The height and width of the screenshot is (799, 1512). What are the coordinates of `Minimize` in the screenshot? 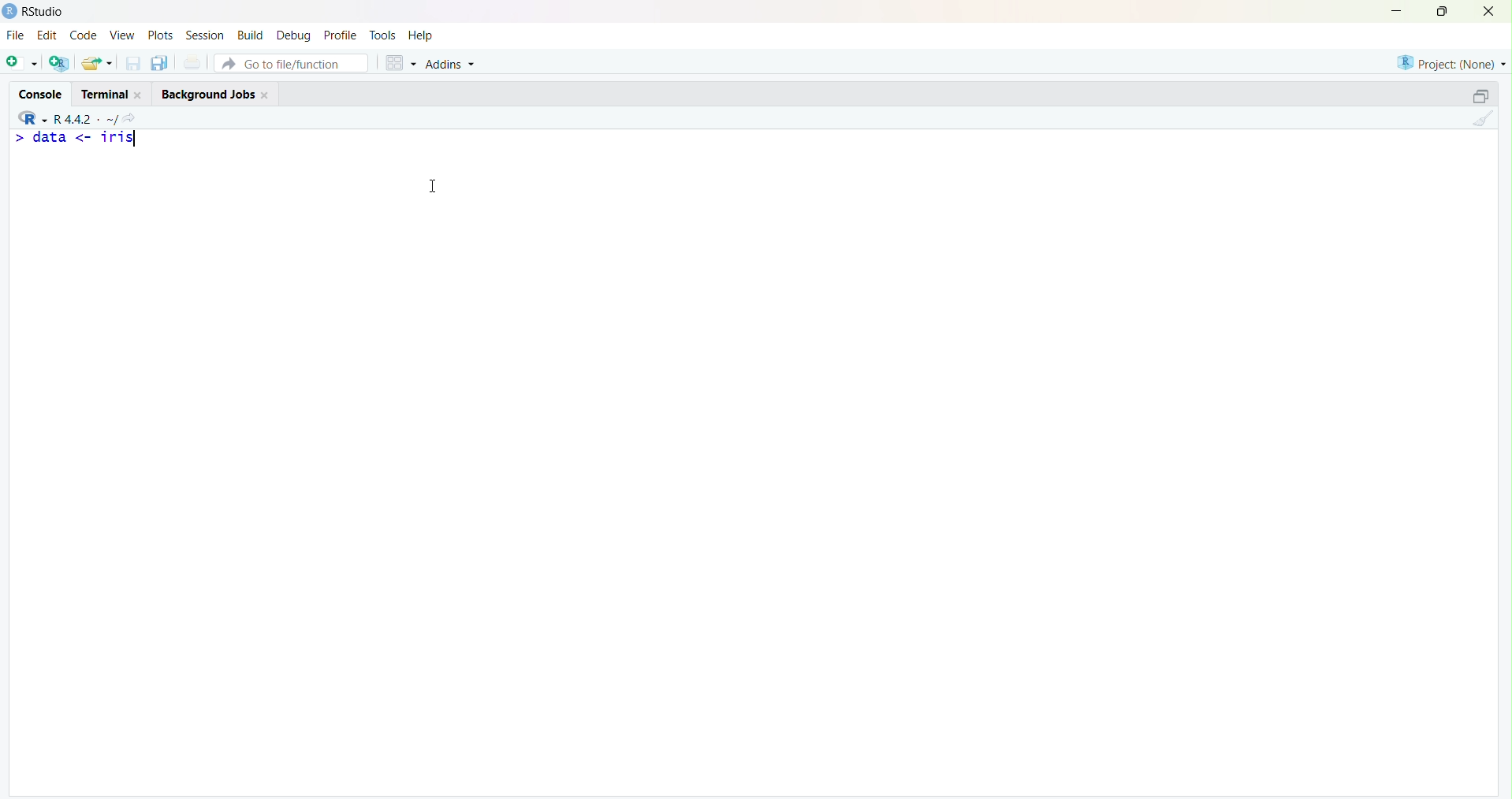 It's located at (1398, 10).